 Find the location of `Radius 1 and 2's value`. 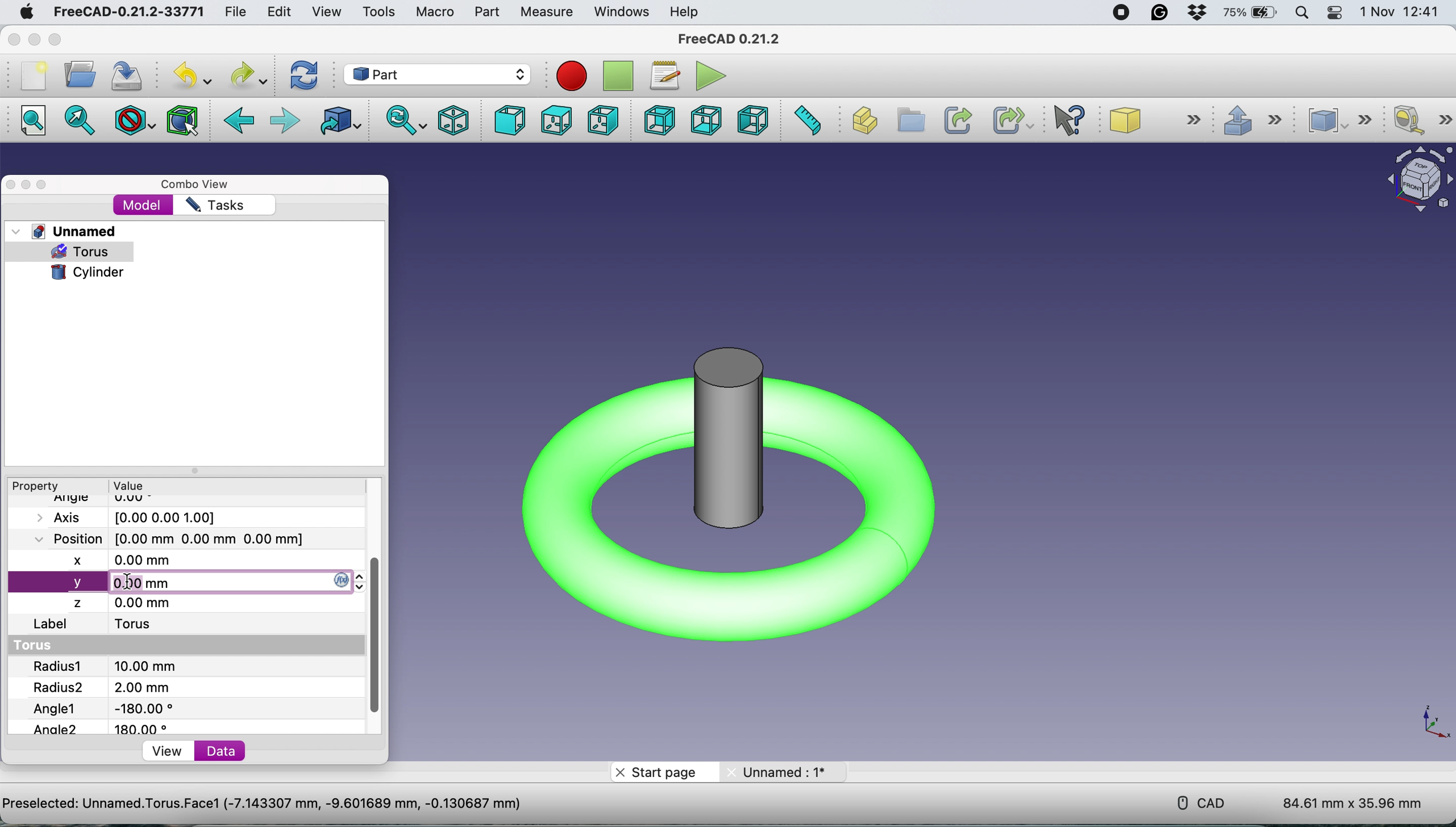

Radius 1 and 2's value is located at coordinates (133, 678).